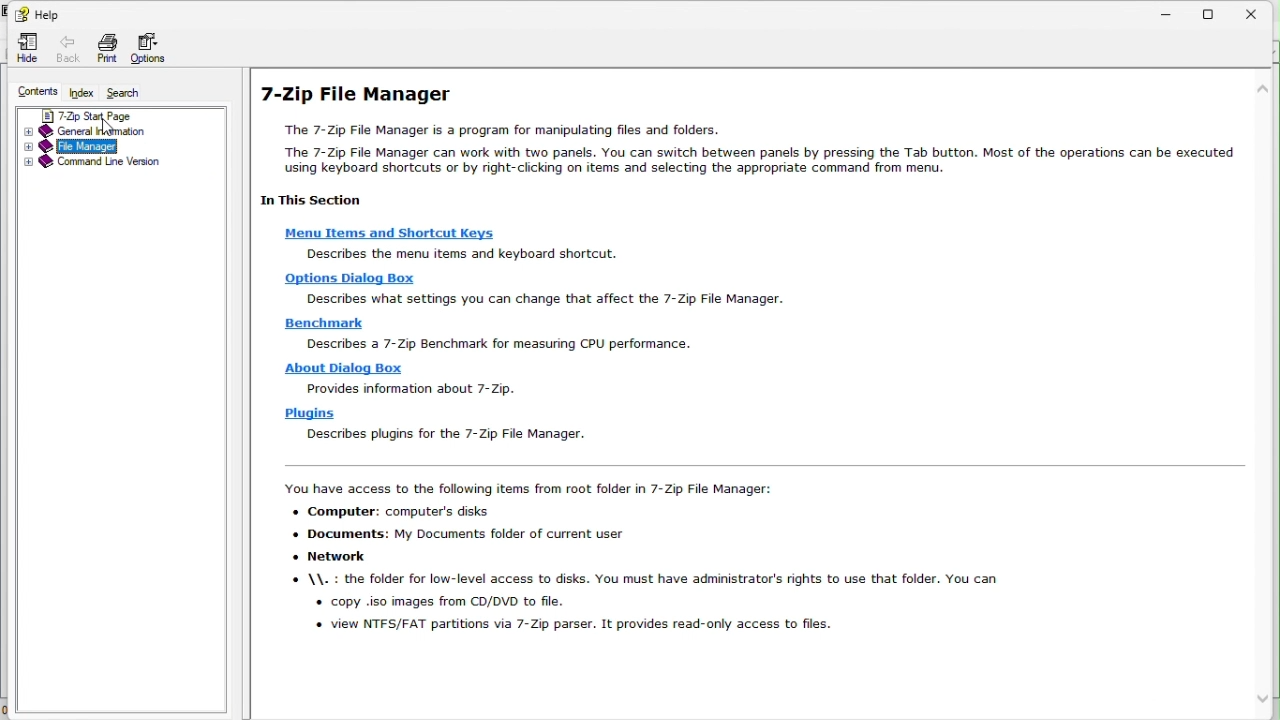  I want to click on plugins, so click(309, 413).